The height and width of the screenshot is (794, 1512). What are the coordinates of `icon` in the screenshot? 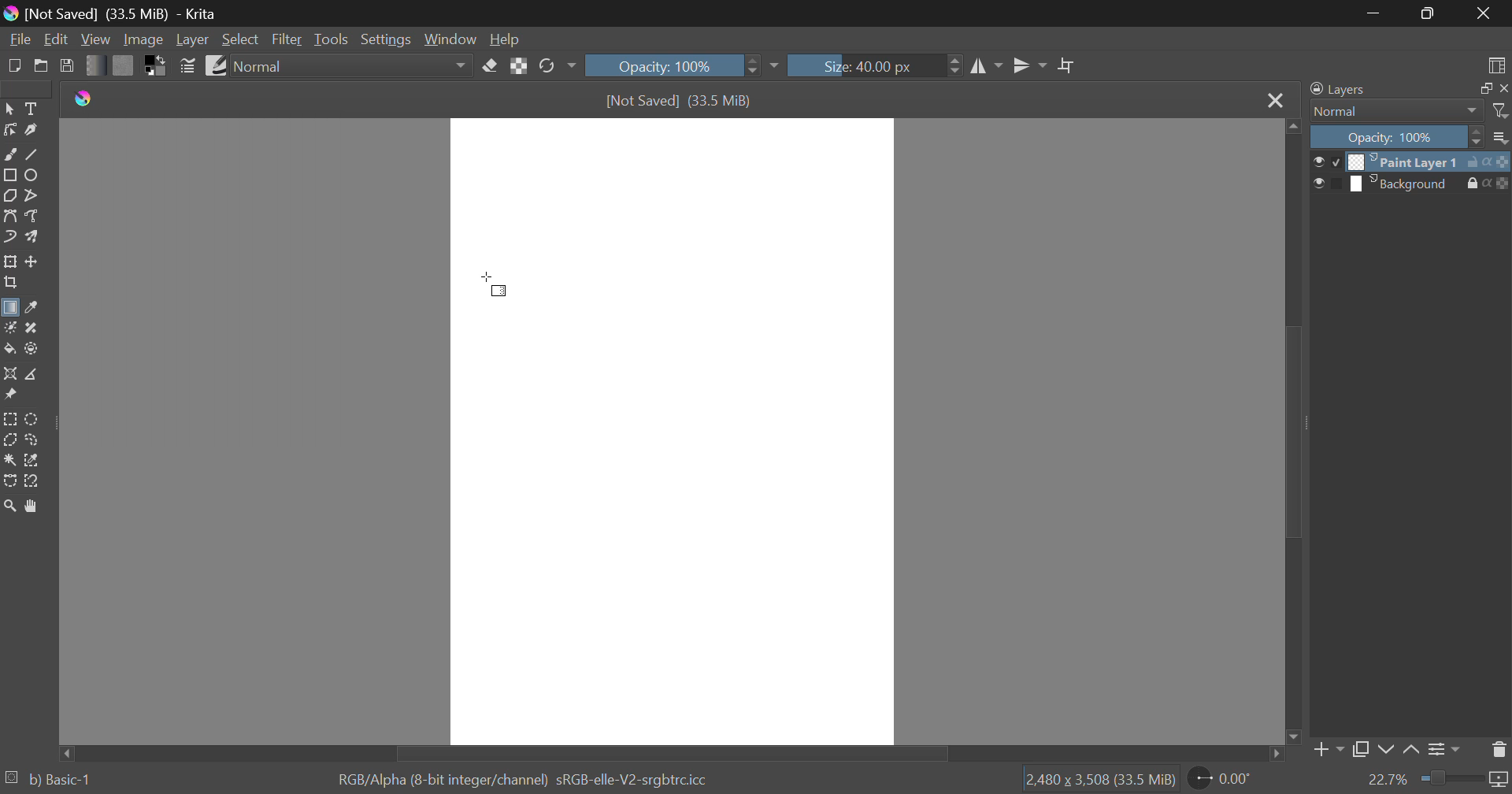 It's located at (1503, 184).